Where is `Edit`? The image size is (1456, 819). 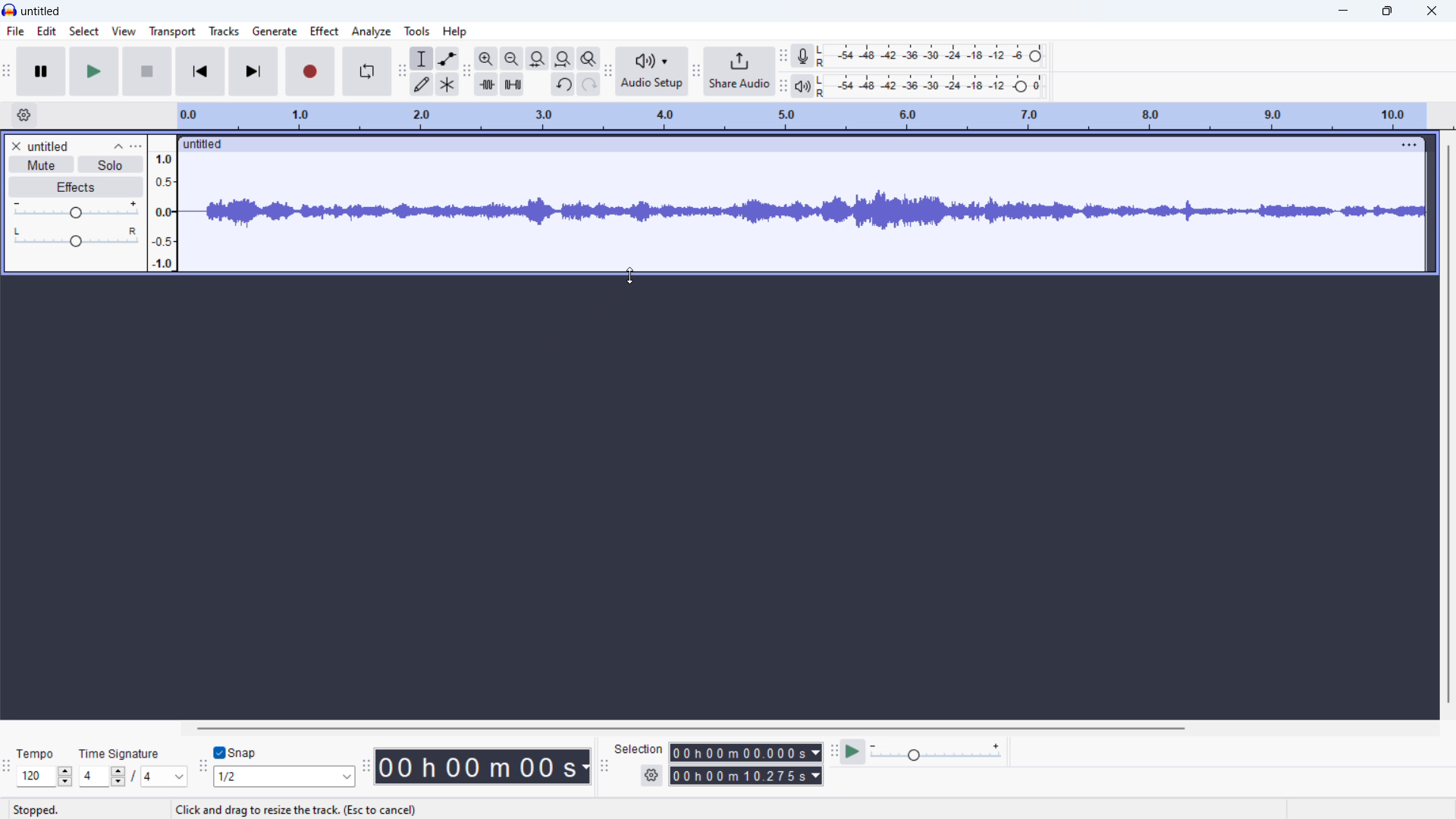 Edit is located at coordinates (46, 30).